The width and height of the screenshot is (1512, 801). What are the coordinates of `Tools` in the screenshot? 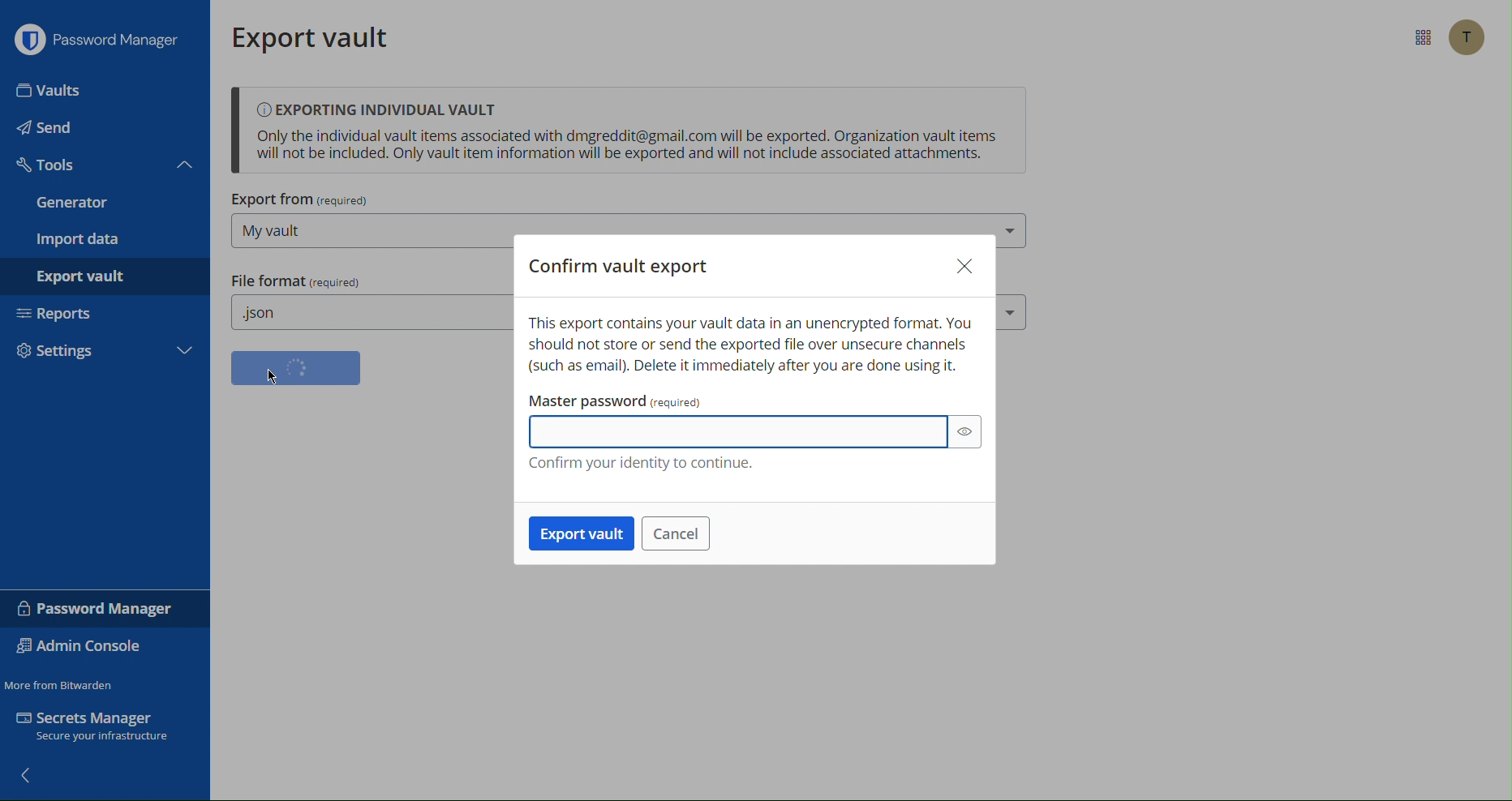 It's located at (101, 168).